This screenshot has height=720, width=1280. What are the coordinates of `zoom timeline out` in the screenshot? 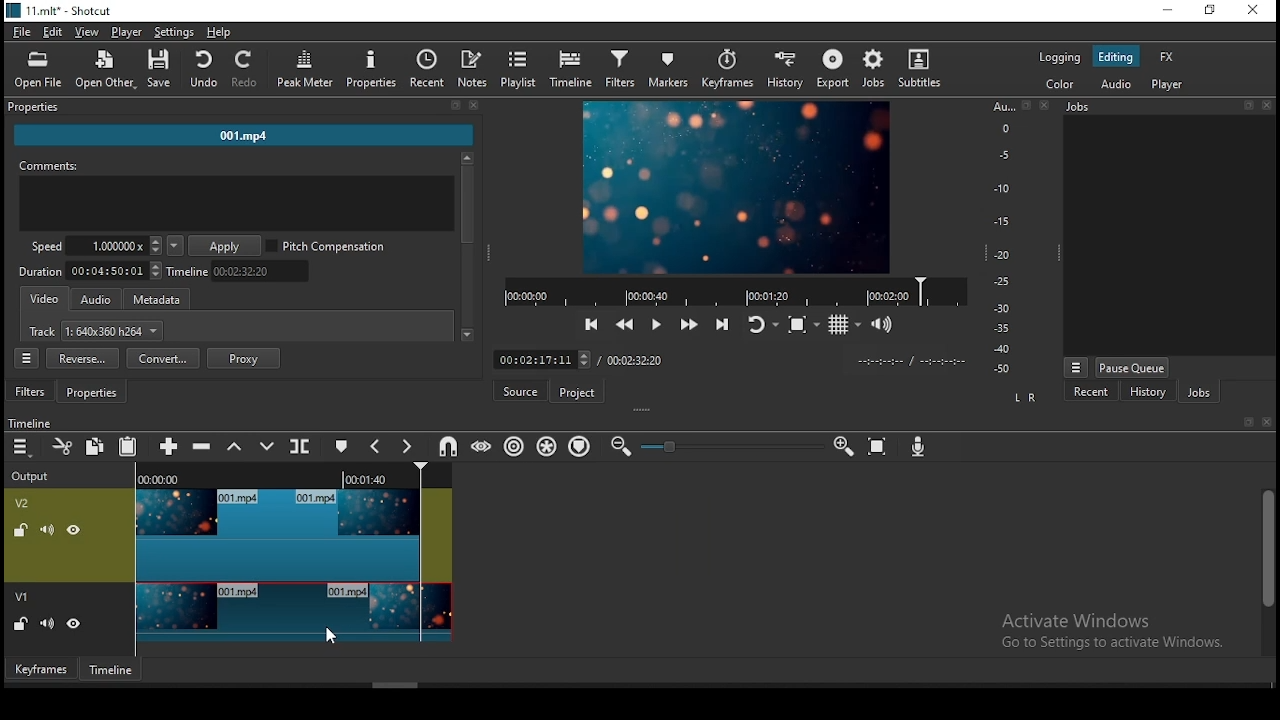 It's located at (620, 446).